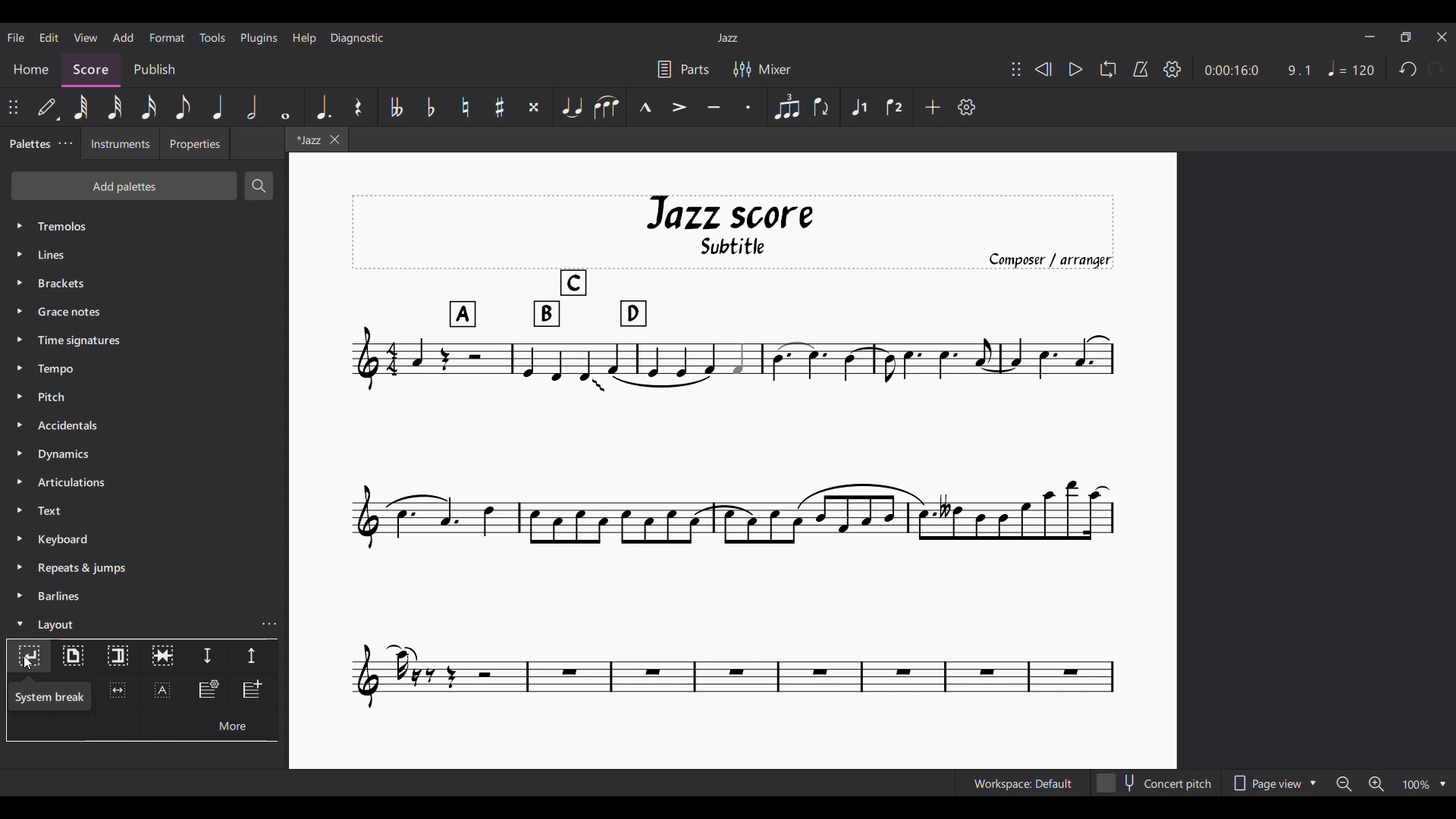 The height and width of the screenshot is (819, 1456). Describe the element at coordinates (231, 724) in the screenshot. I see `More` at that location.